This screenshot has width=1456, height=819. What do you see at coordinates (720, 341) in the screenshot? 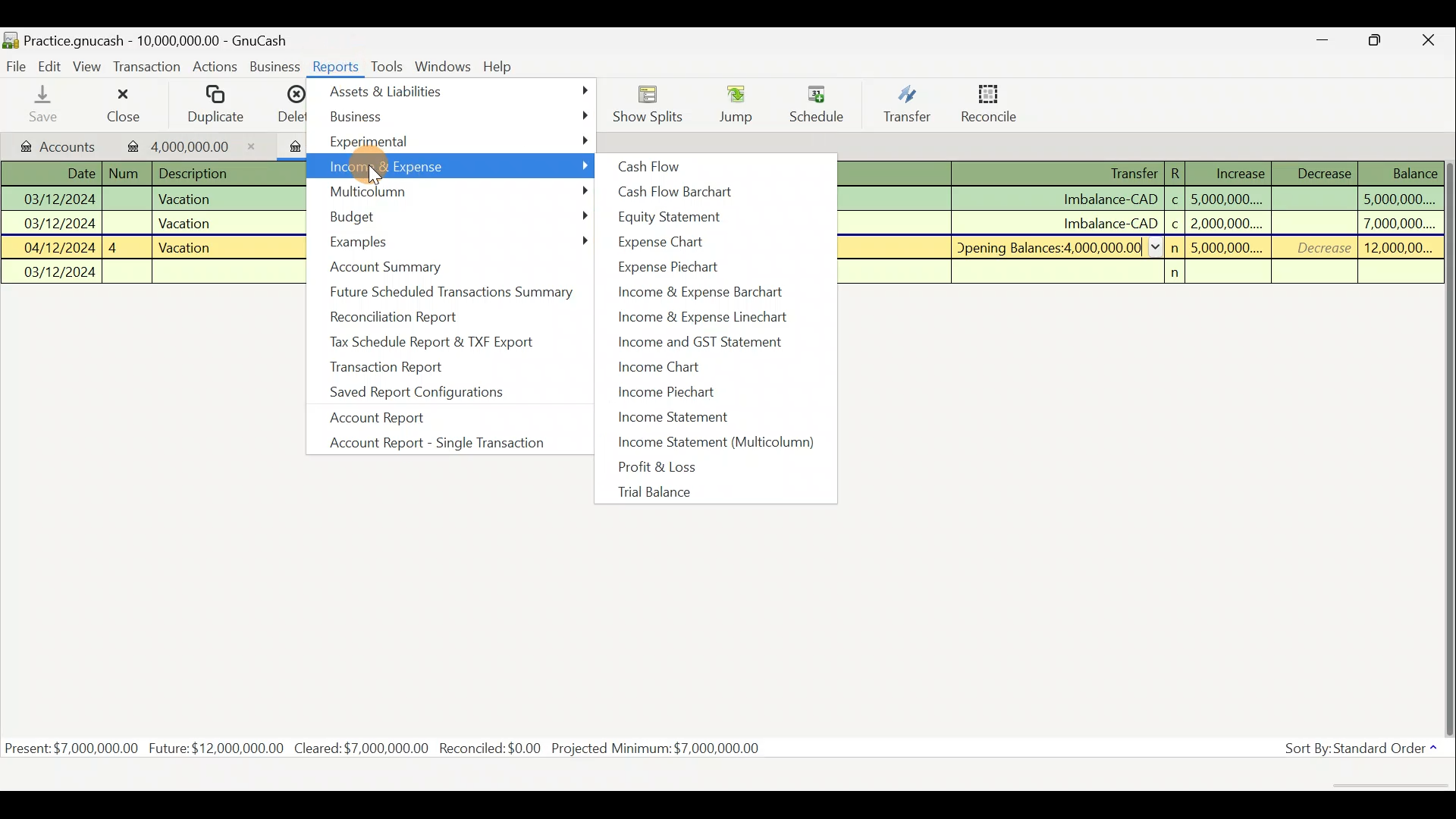
I see `Income and GST statement` at bounding box center [720, 341].